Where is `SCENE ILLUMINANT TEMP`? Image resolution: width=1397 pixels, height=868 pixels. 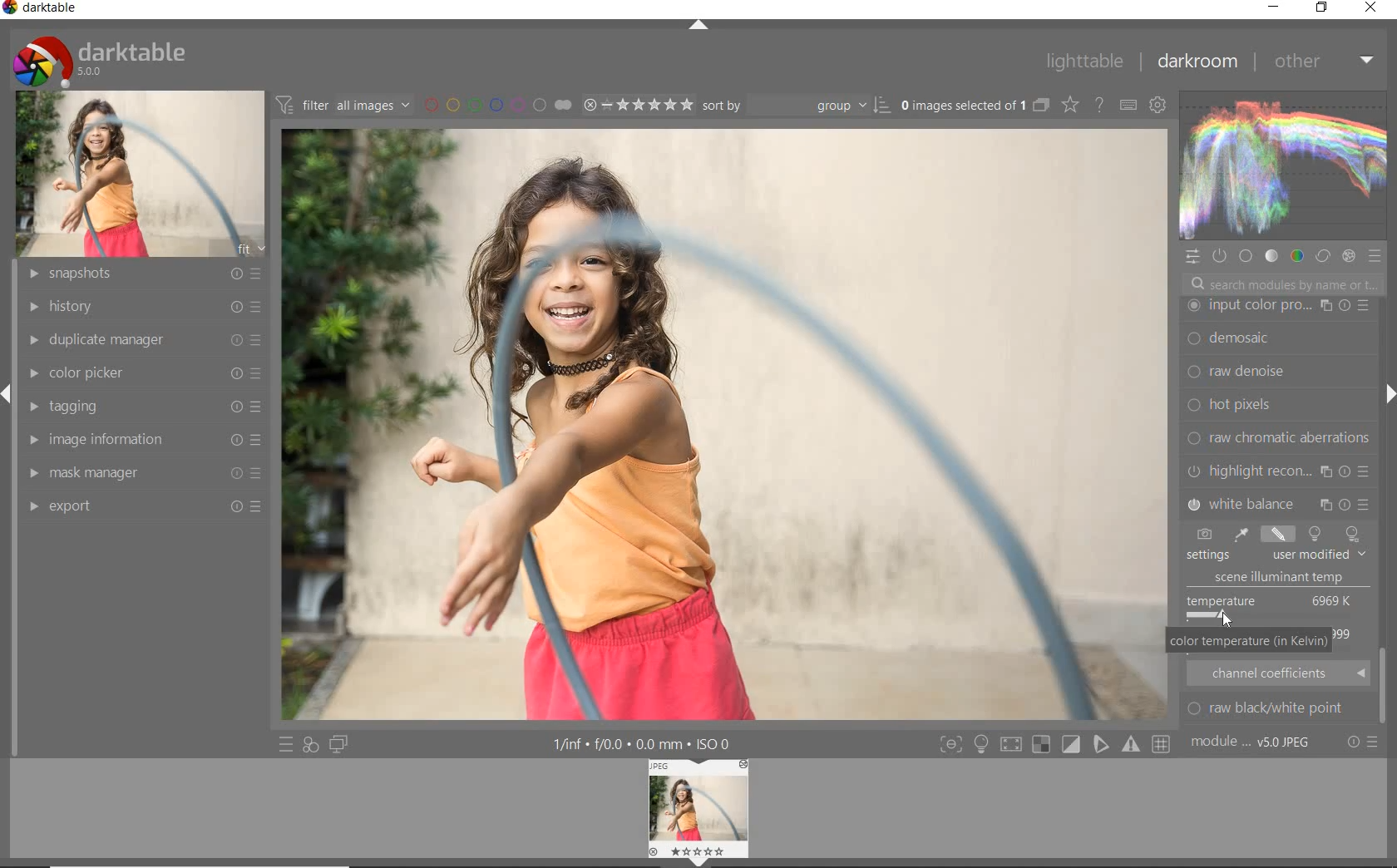 SCENE ILLUMINANT TEMP is located at coordinates (1286, 578).